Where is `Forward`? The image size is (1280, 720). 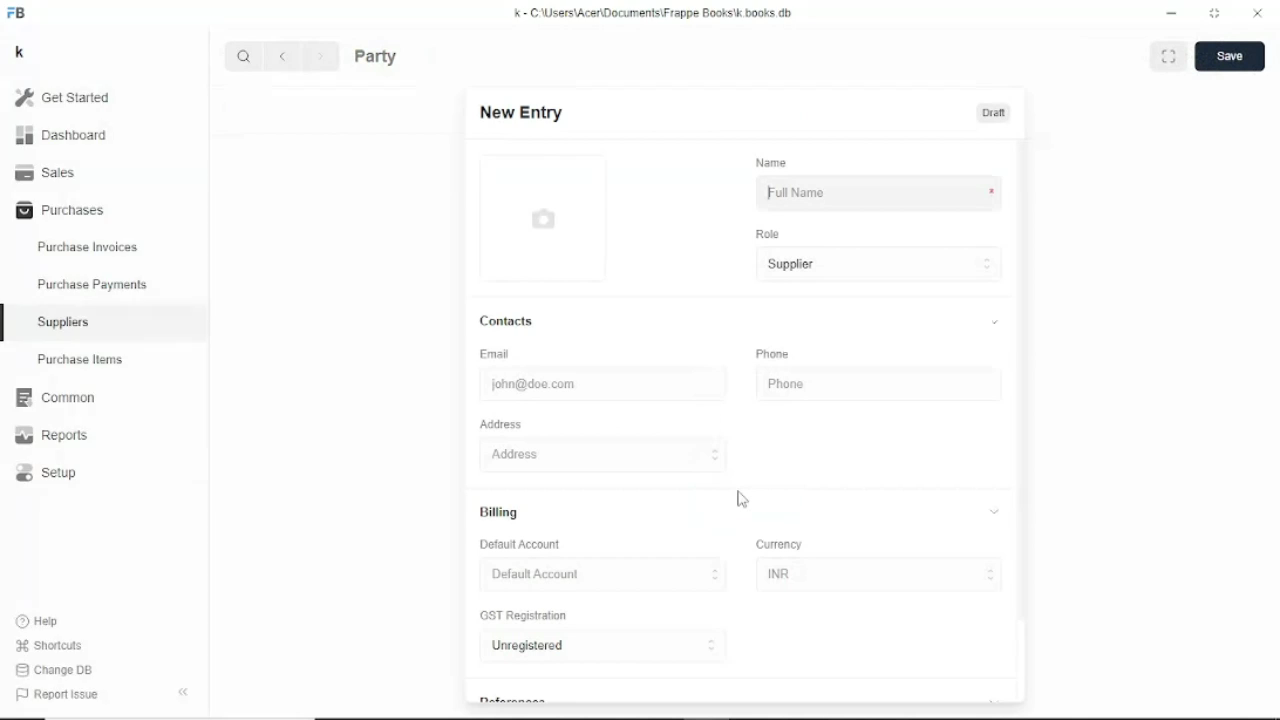
Forward is located at coordinates (322, 55).